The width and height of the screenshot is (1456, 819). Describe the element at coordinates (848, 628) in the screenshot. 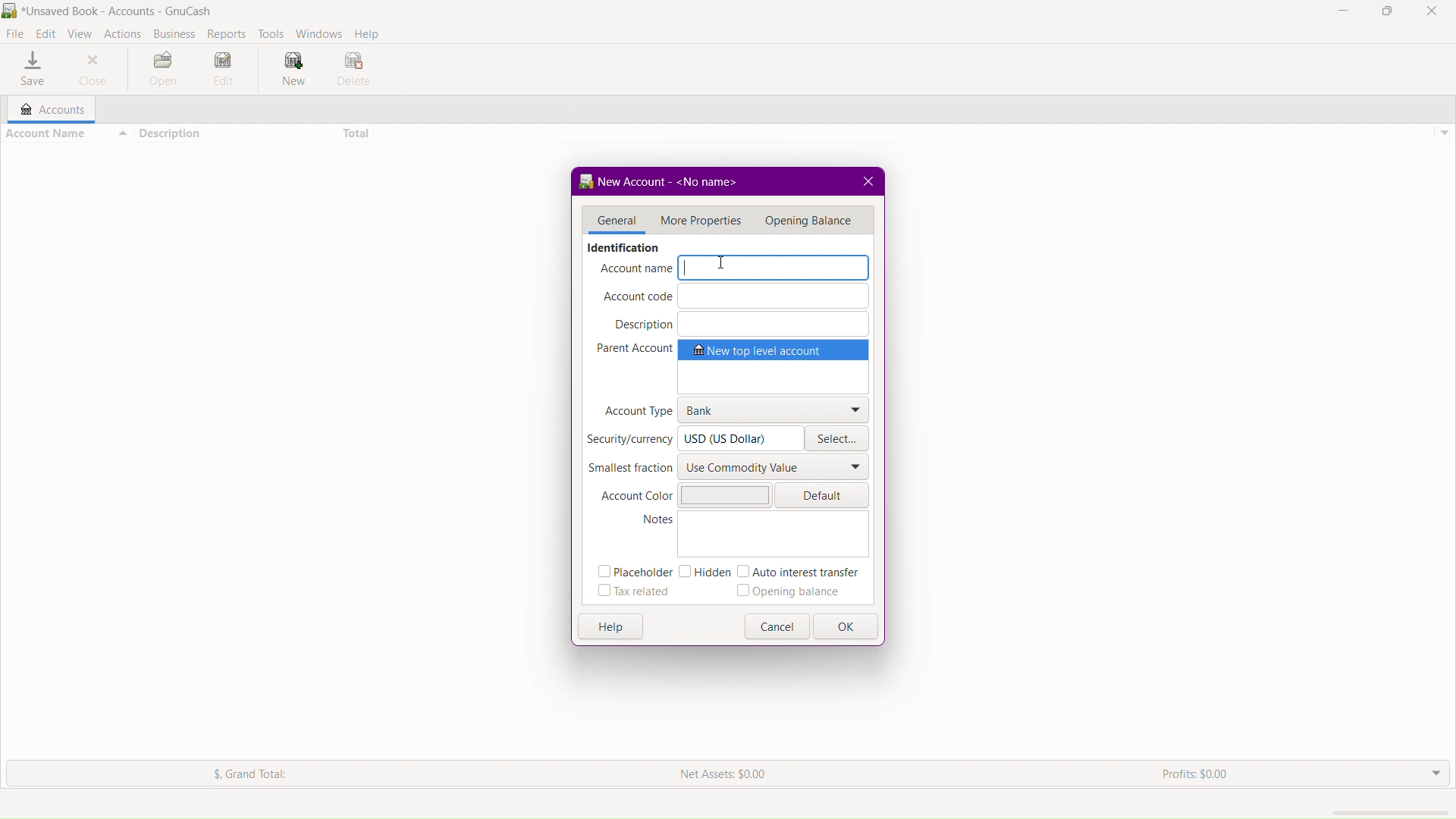

I see `OK` at that location.